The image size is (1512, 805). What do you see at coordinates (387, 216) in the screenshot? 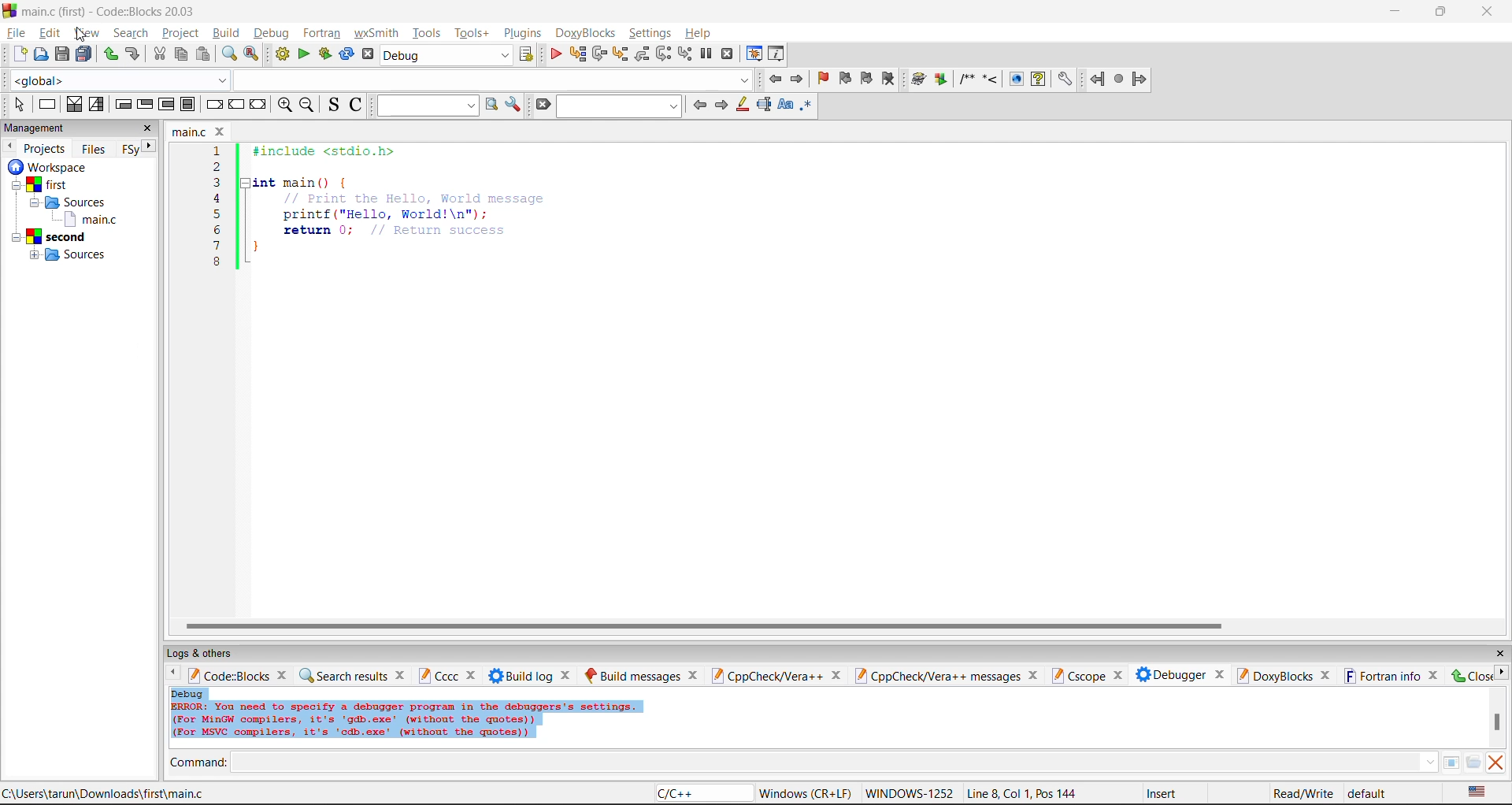
I see `code` at bounding box center [387, 216].